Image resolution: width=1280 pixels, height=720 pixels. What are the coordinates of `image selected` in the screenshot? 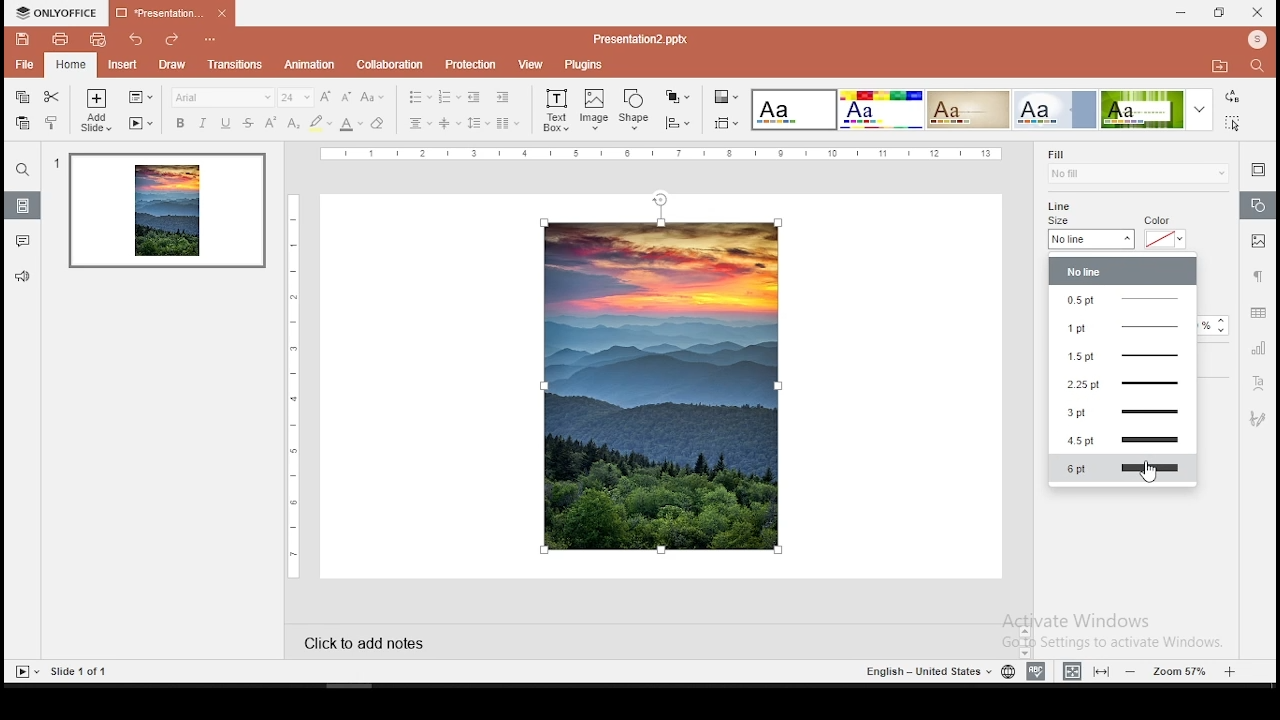 It's located at (662, 385).